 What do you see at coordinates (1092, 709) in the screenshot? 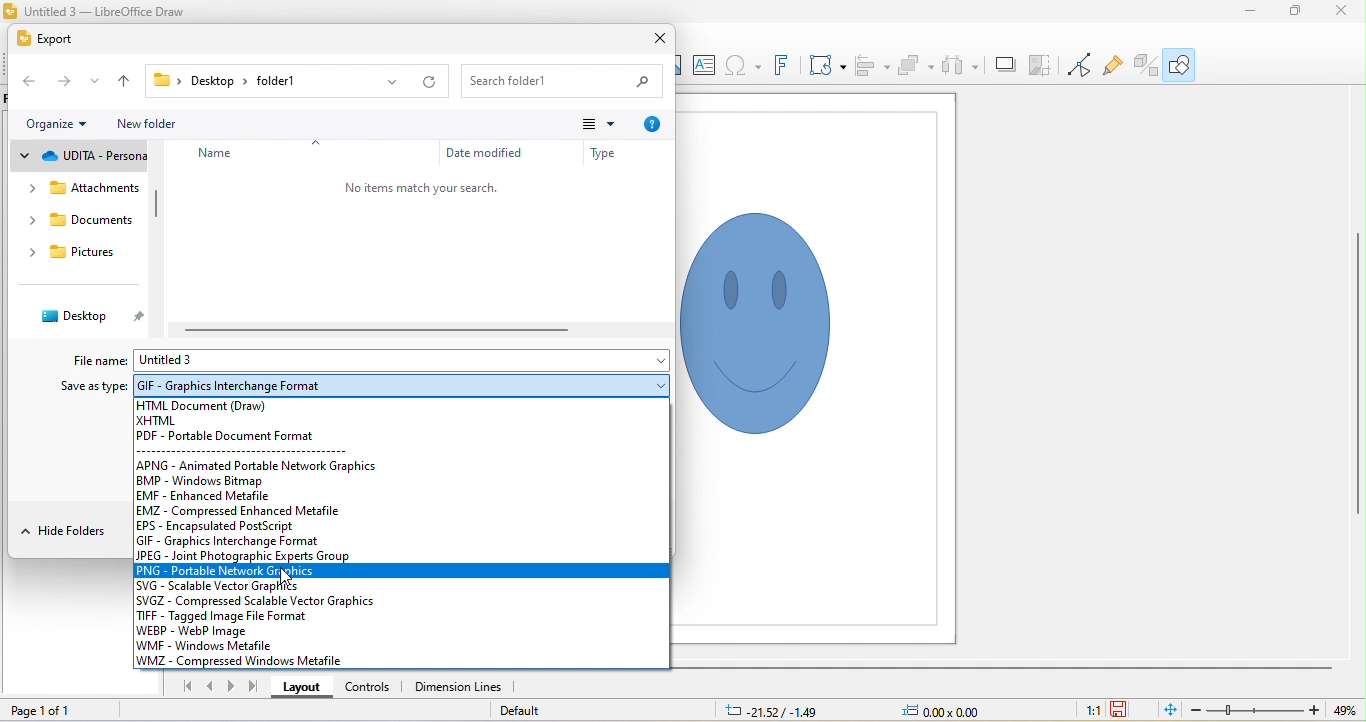
I see `1:1` at bounding box center [1092, 709].